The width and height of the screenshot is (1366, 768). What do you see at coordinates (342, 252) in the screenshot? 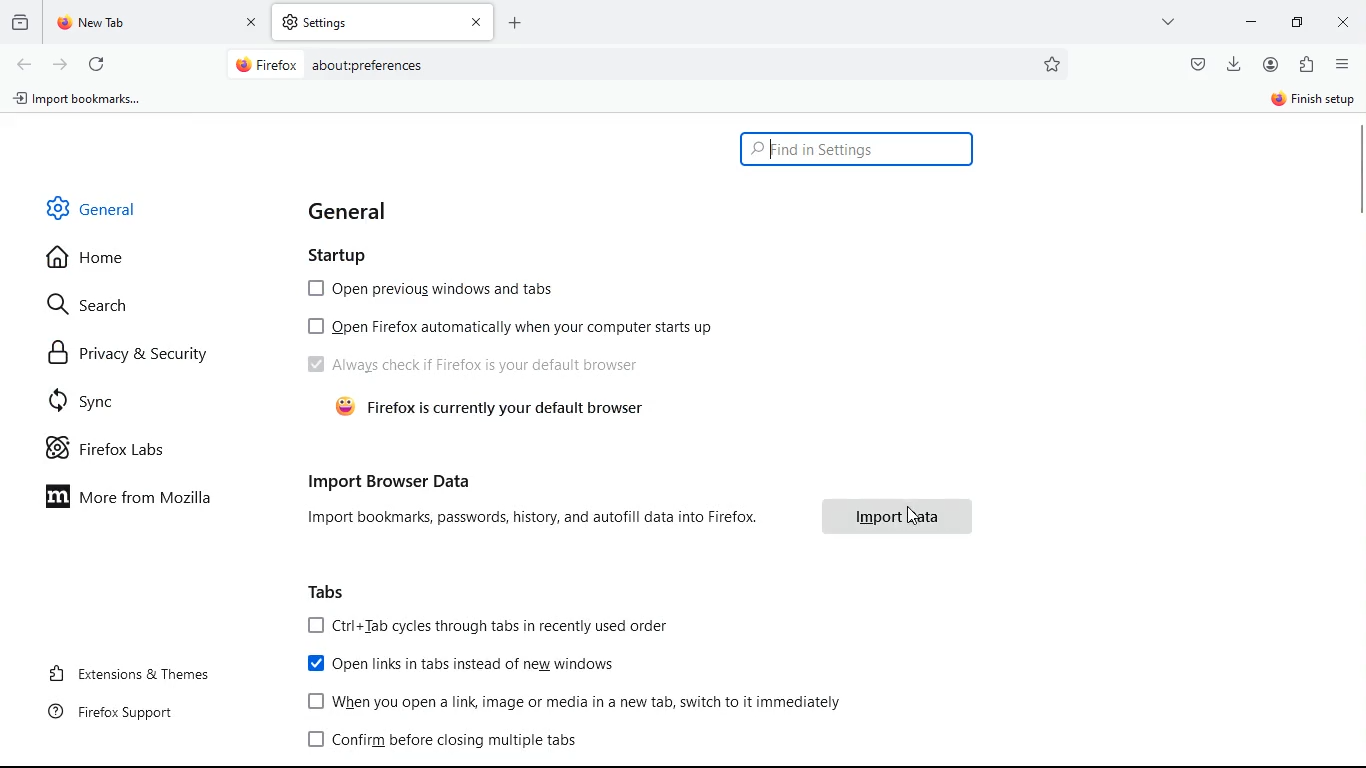
I see `startup` at bounding box center [342, 252].